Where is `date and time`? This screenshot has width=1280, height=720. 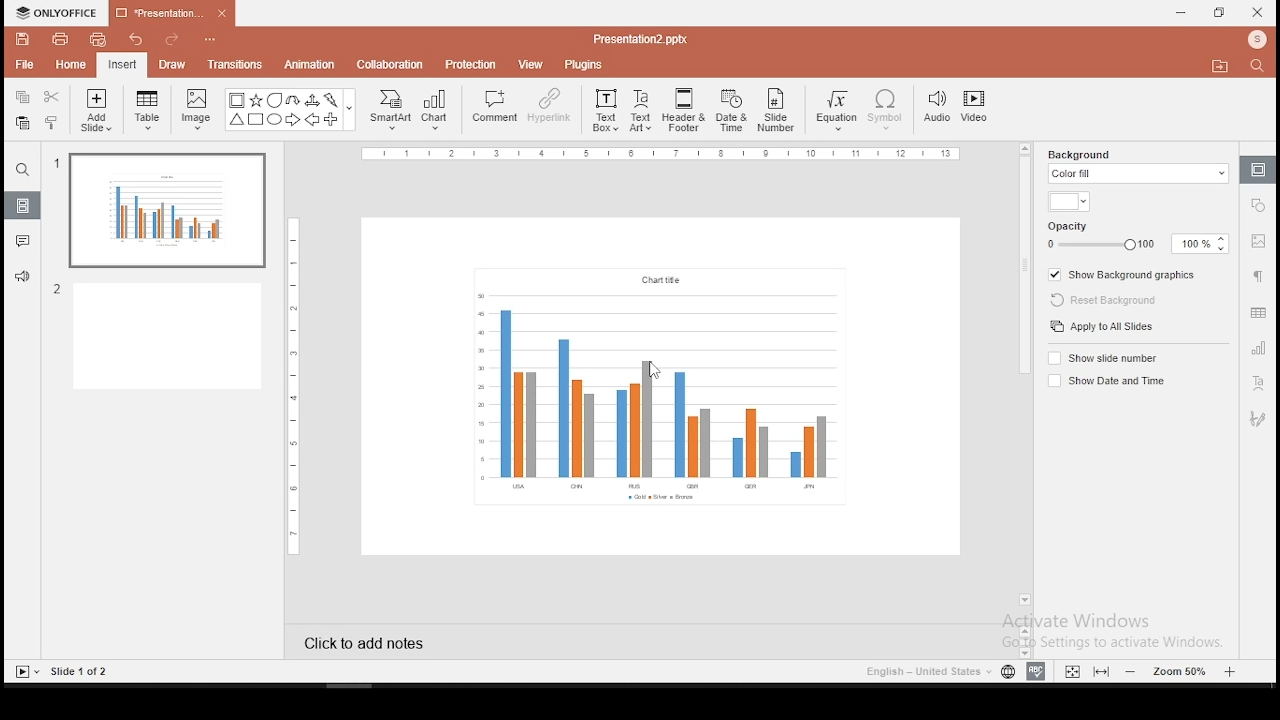
date and time is located at coordinates (730, 110).